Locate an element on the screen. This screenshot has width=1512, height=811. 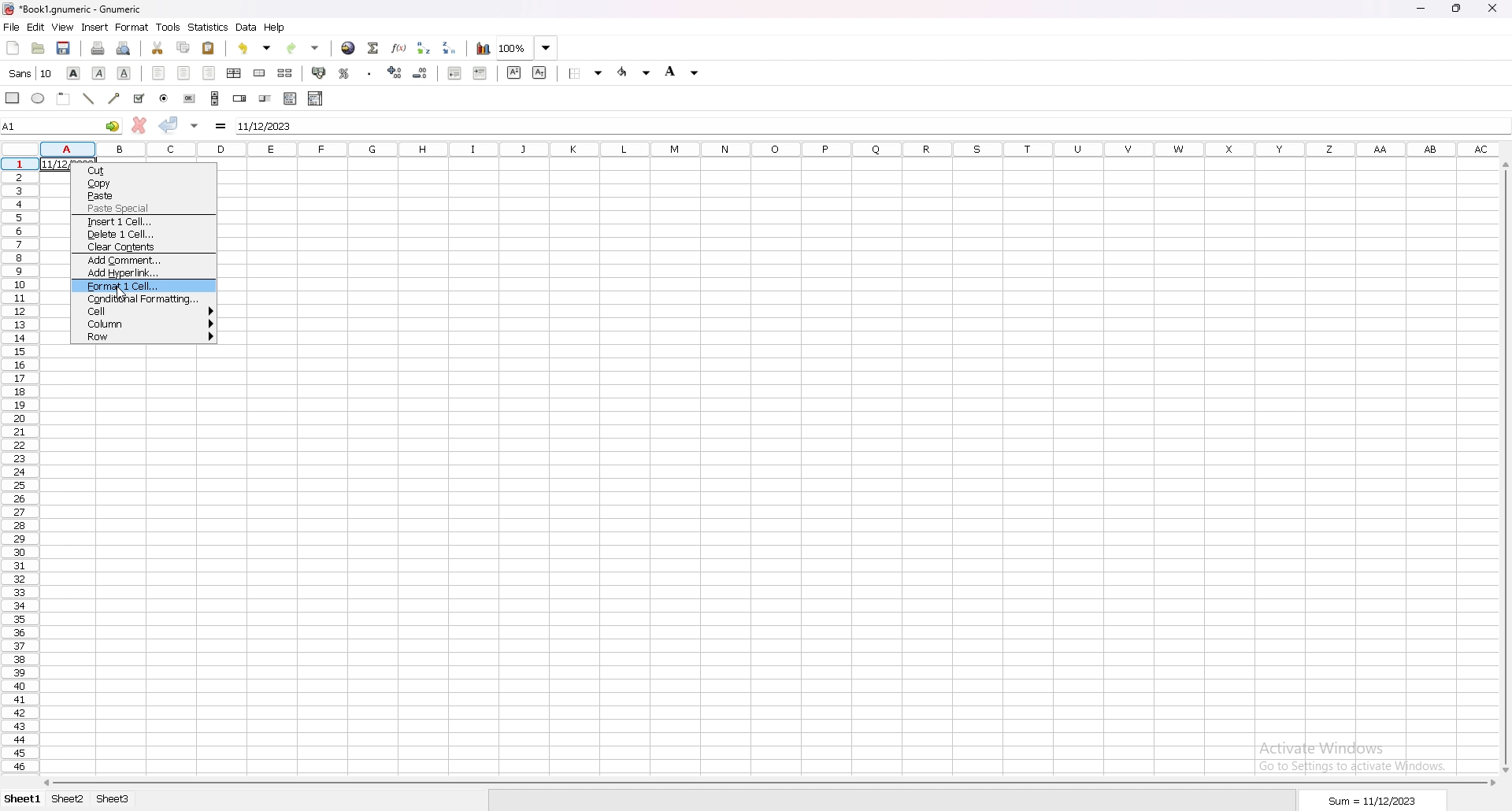
merge cells is located at coordinates (259, 74).